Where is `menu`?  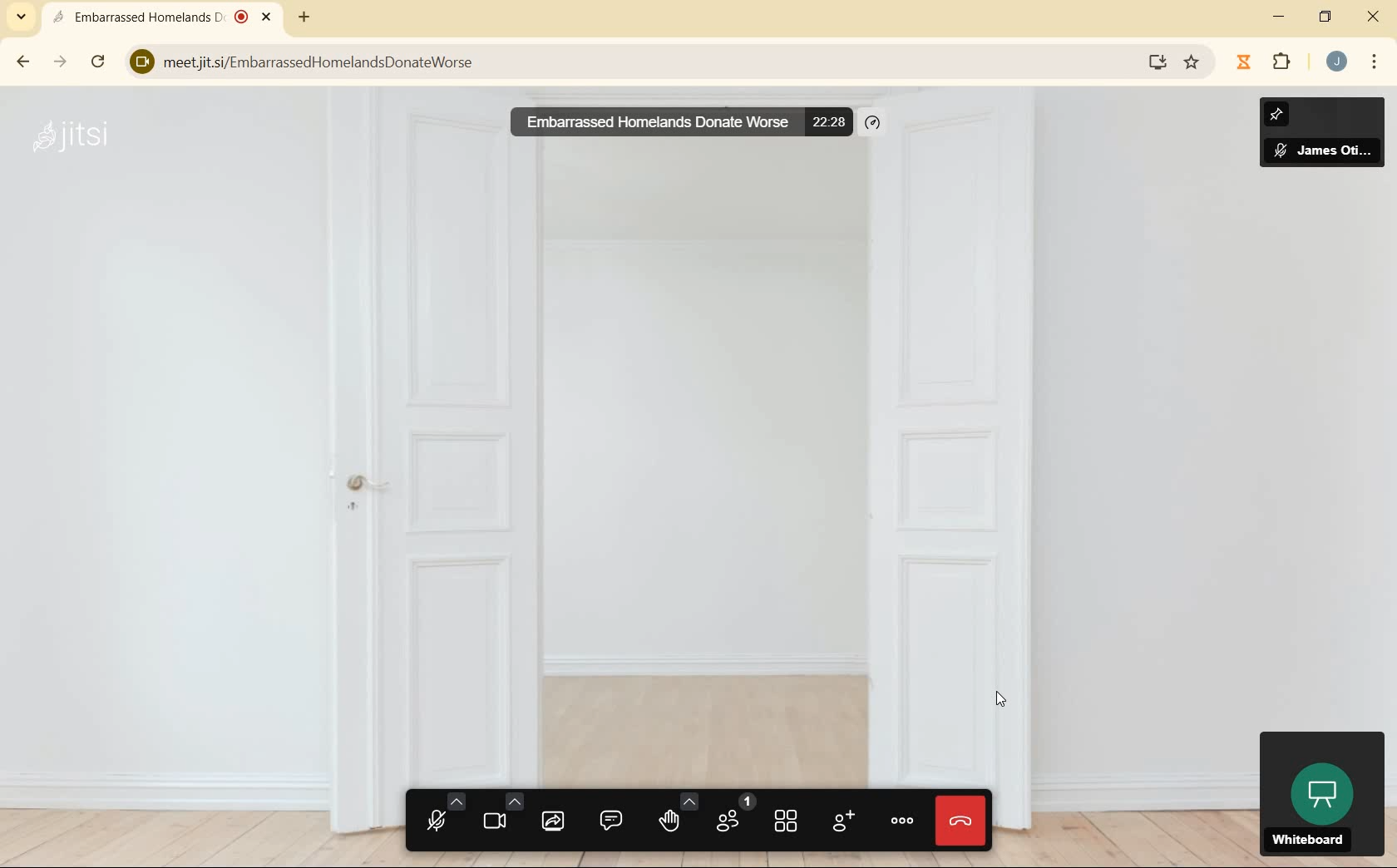 menu is located at coordinates (1375, 64).